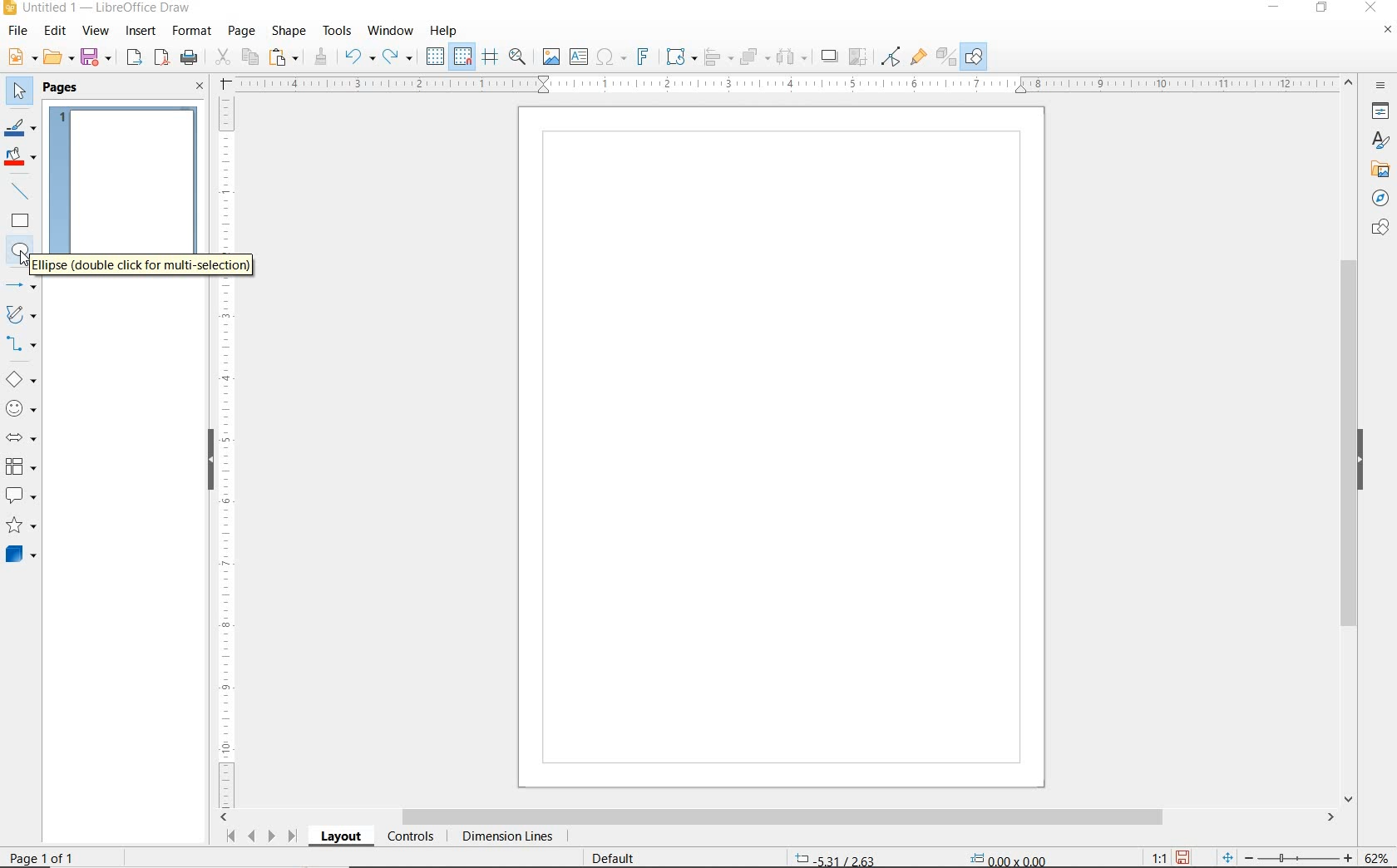 This screenshot has height=868, width=1397. What do you see at coordinates (36, 263) in the screenshot?
I see `CURSOR` at bounding box center [36, 263].